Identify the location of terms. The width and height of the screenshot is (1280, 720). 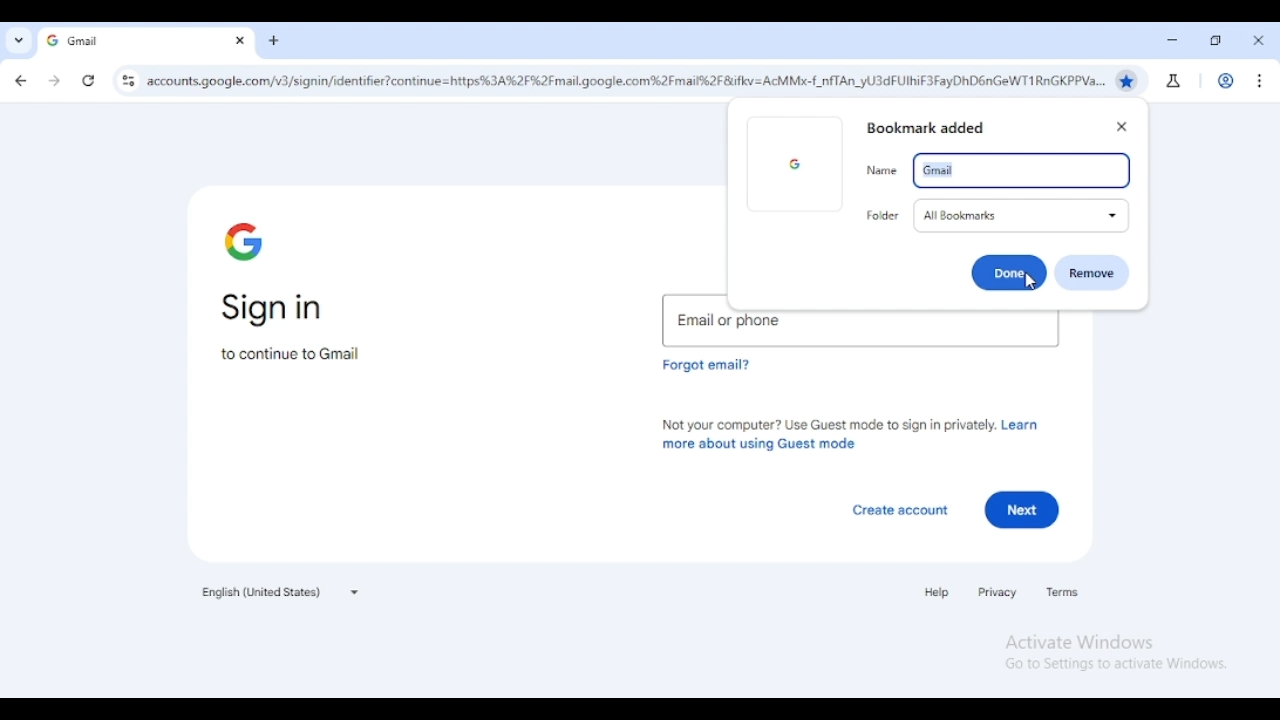
(1062, 592).